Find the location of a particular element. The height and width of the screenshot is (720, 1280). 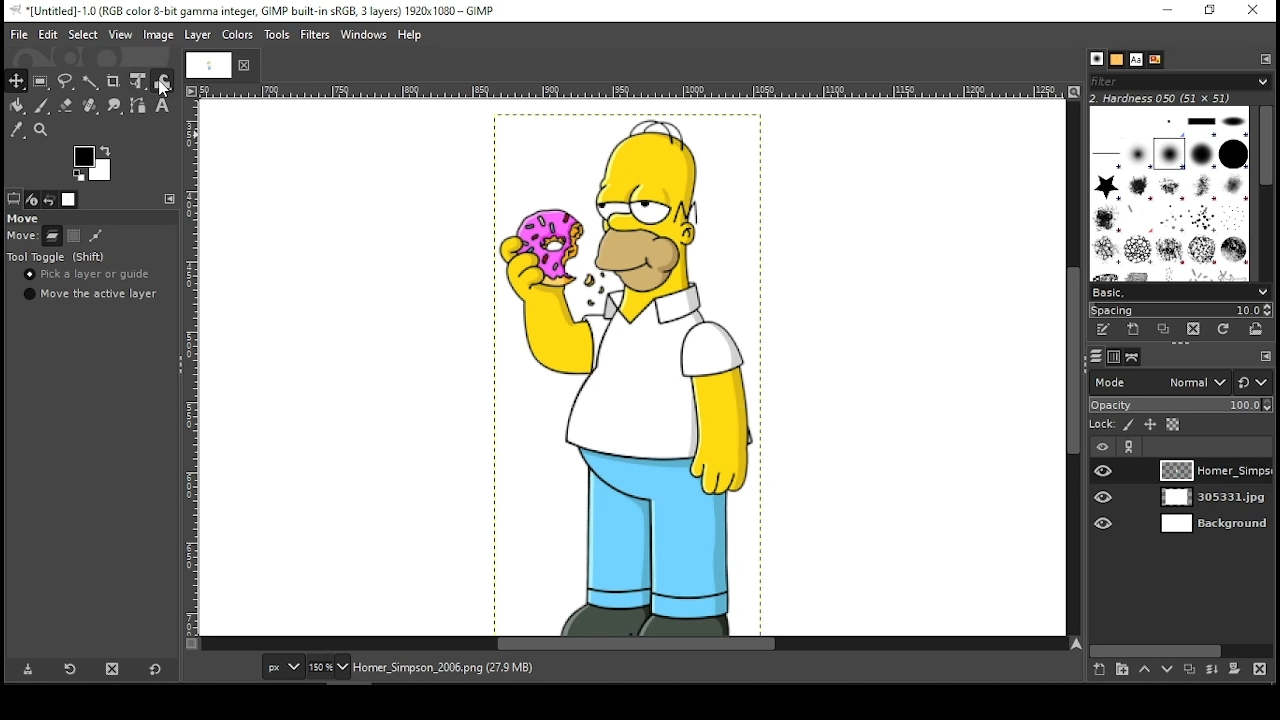

lock pixels is located at coordinates (1129, 425).